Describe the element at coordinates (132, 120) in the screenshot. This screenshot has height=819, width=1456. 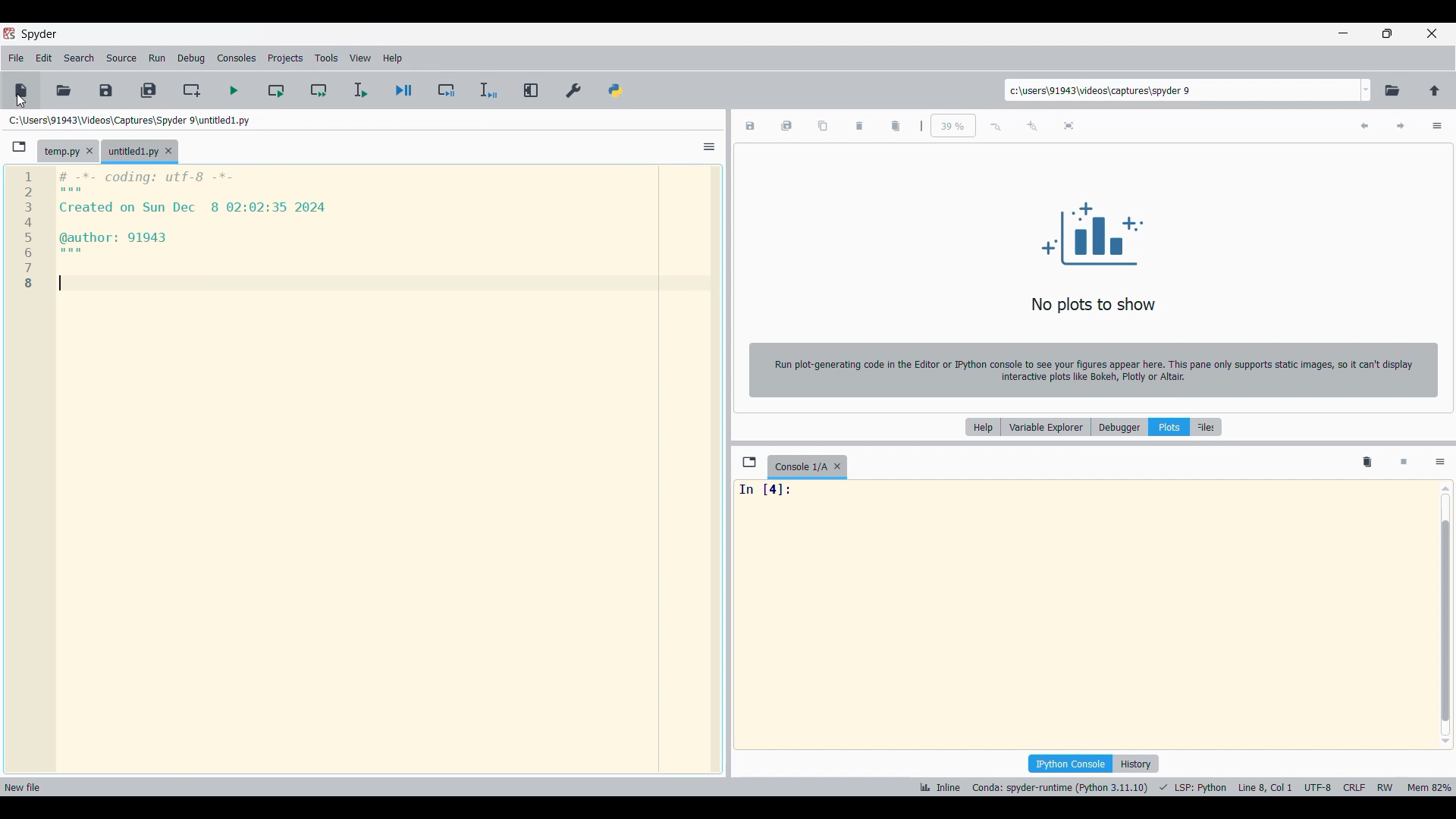
I see `Location of new file` at that location.